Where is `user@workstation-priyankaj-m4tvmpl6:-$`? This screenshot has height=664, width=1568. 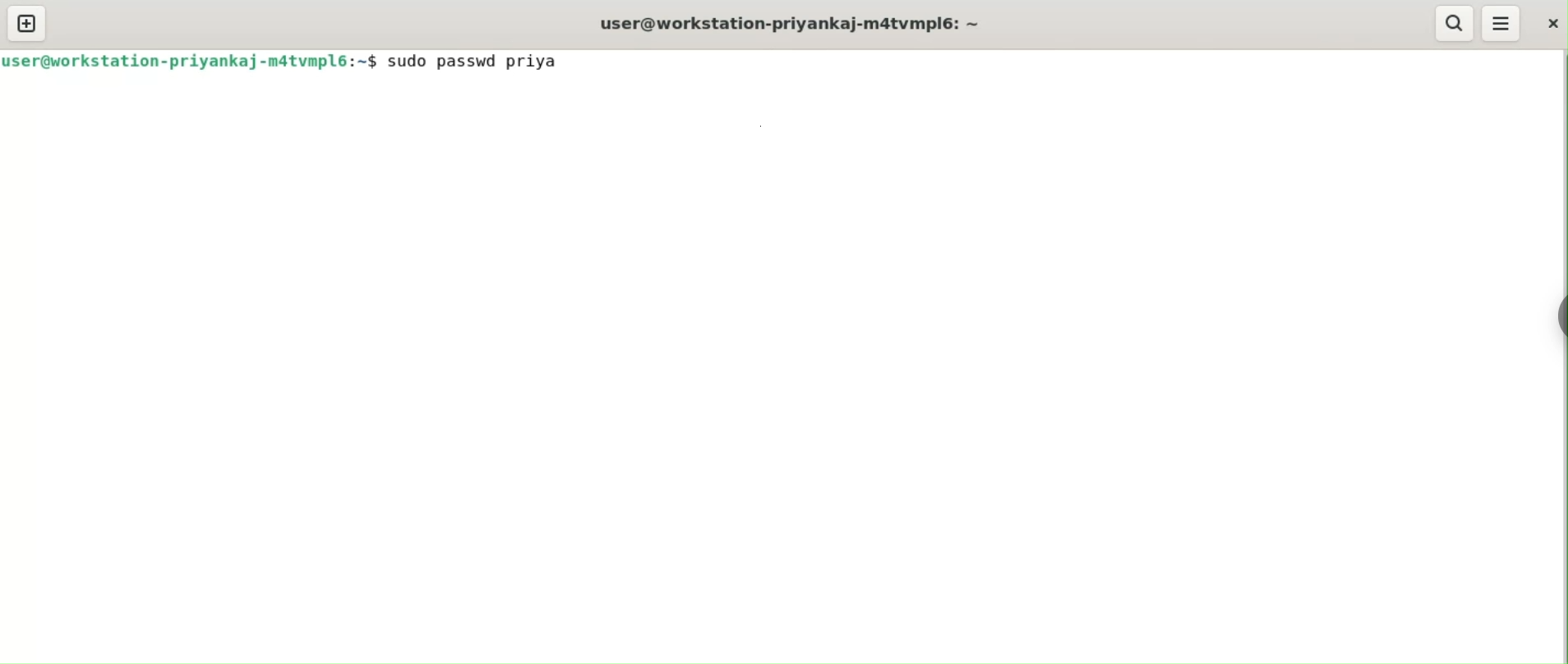 user@workstation-priyankaj-m4tvmpl6:-$ is located at coordinates (801, 22).